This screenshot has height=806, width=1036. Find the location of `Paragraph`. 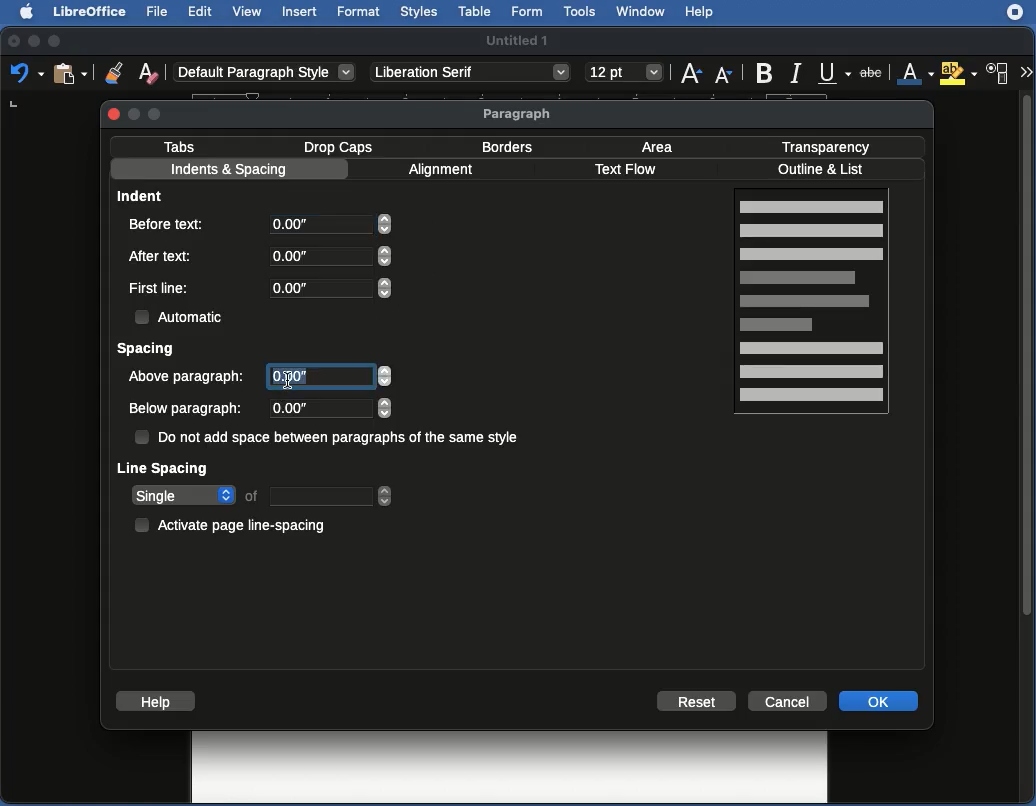

Paragraph is located at coordinates (519, 114).